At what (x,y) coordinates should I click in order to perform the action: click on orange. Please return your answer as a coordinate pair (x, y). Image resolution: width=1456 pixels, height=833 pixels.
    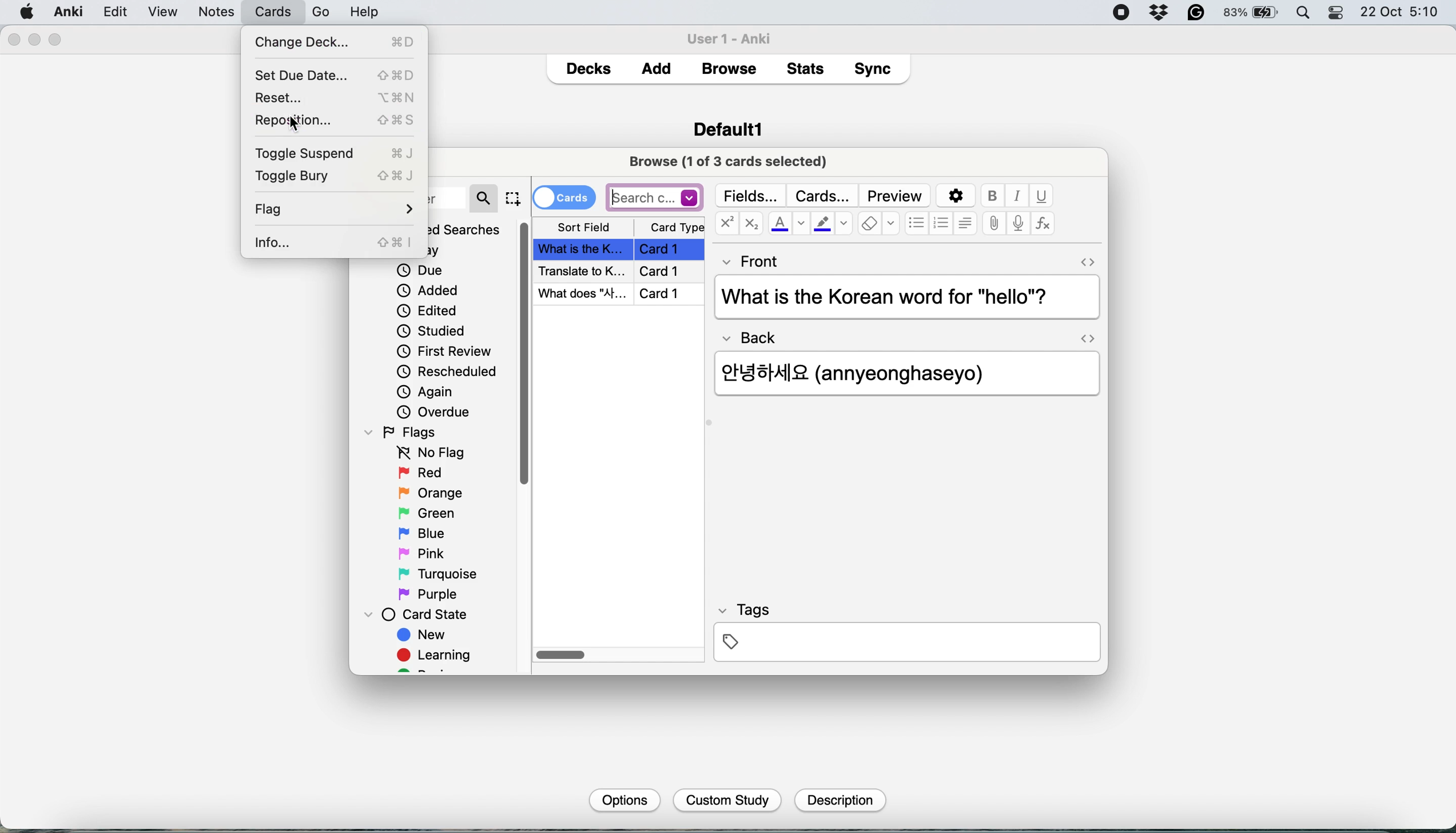
    Looking at the image, I should click on (430, 493).